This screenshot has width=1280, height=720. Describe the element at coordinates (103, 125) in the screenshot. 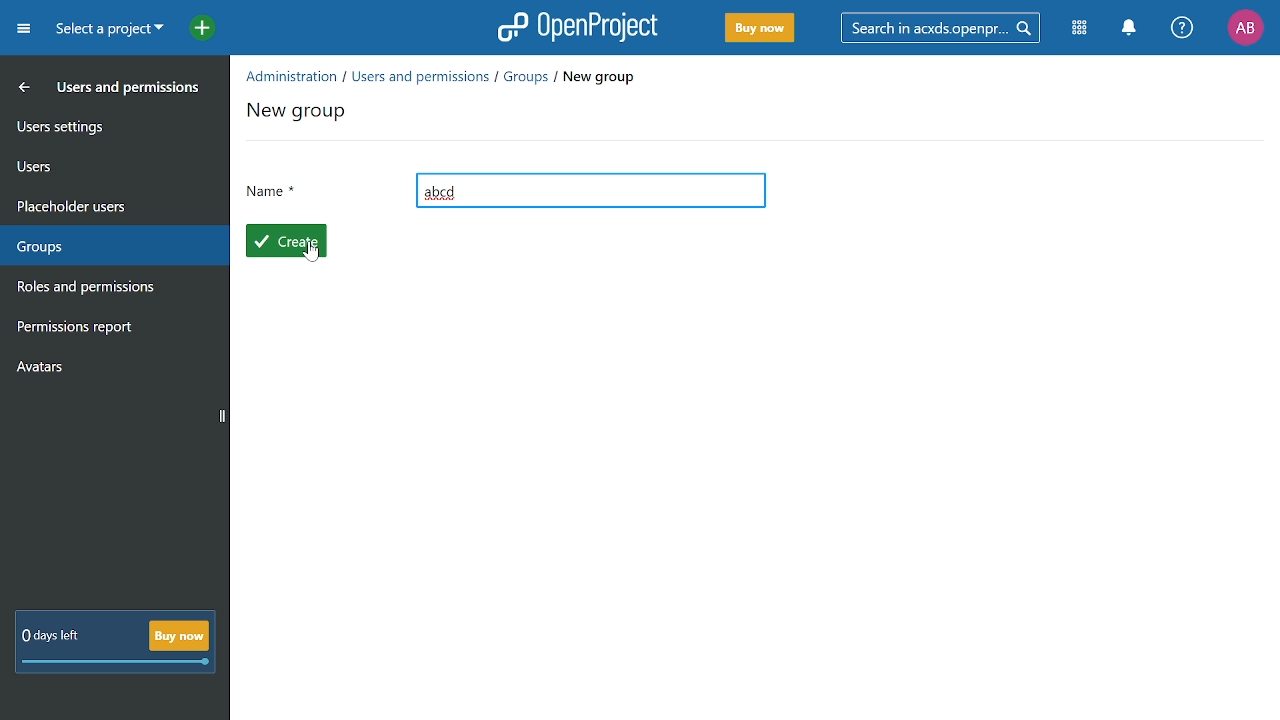

I see `User settings` at that location.